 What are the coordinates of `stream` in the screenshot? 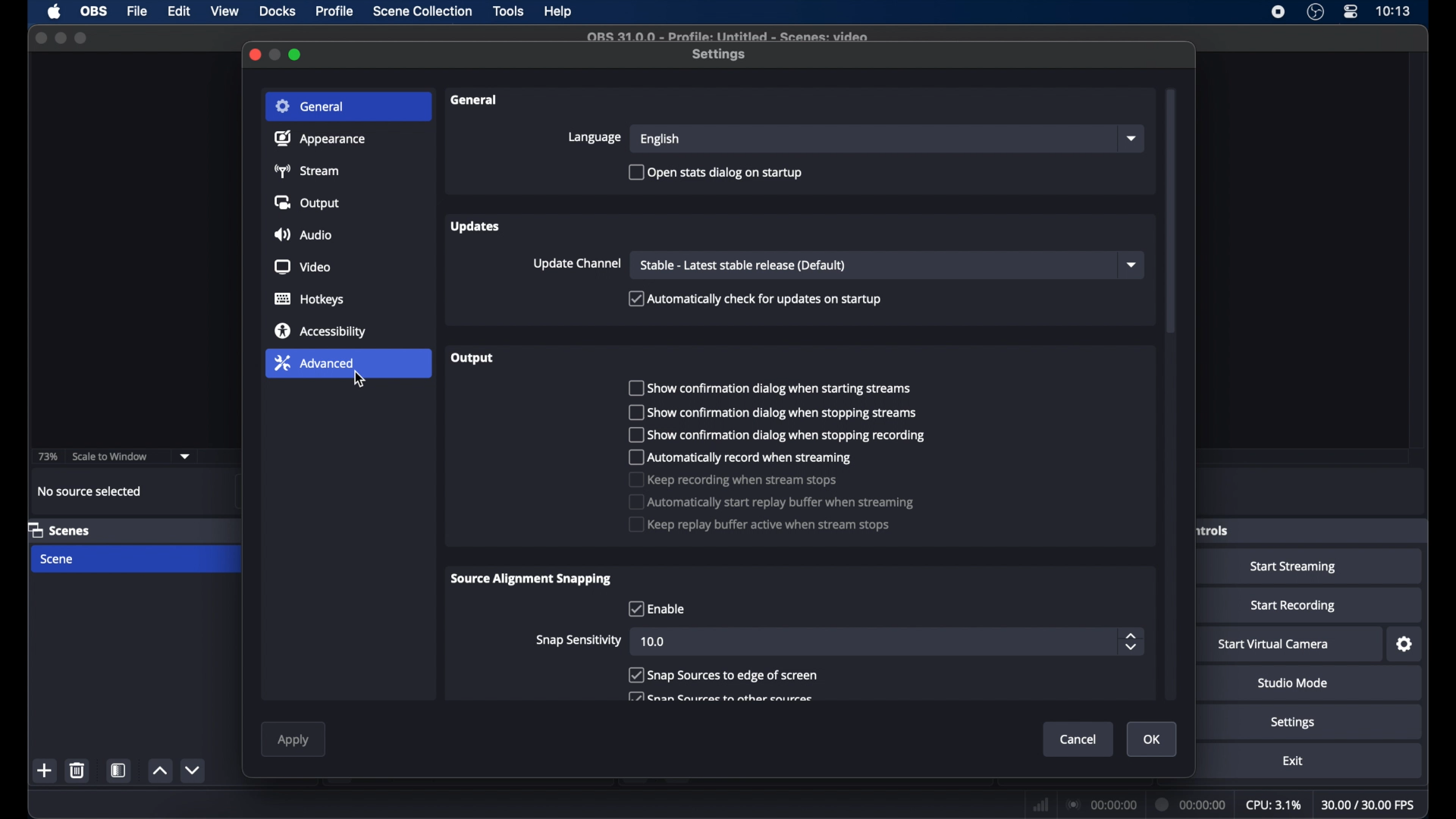 It's located at (306, 171).